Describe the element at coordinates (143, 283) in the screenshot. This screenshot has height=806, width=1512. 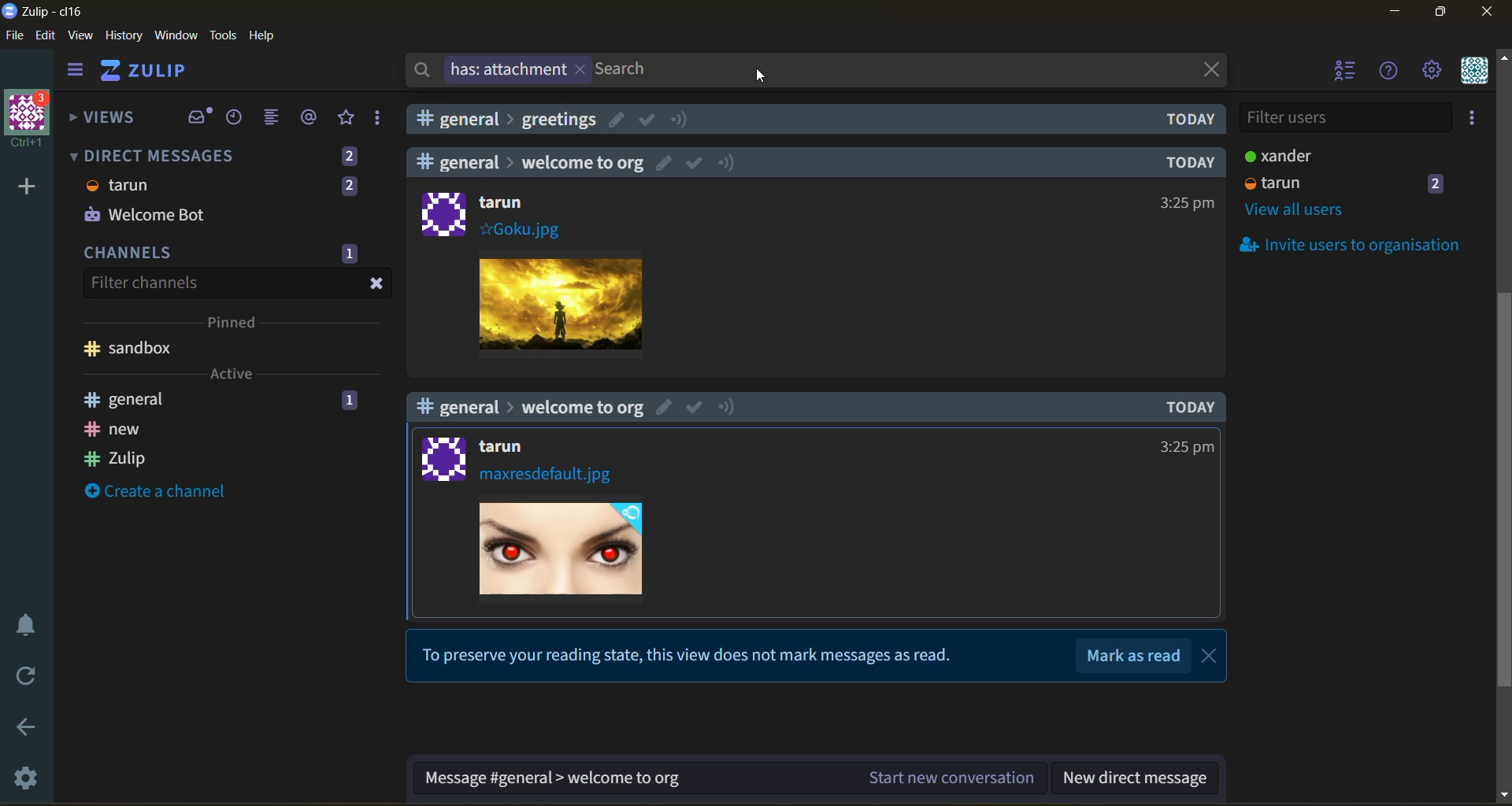
I see `Filter channels` at that location.